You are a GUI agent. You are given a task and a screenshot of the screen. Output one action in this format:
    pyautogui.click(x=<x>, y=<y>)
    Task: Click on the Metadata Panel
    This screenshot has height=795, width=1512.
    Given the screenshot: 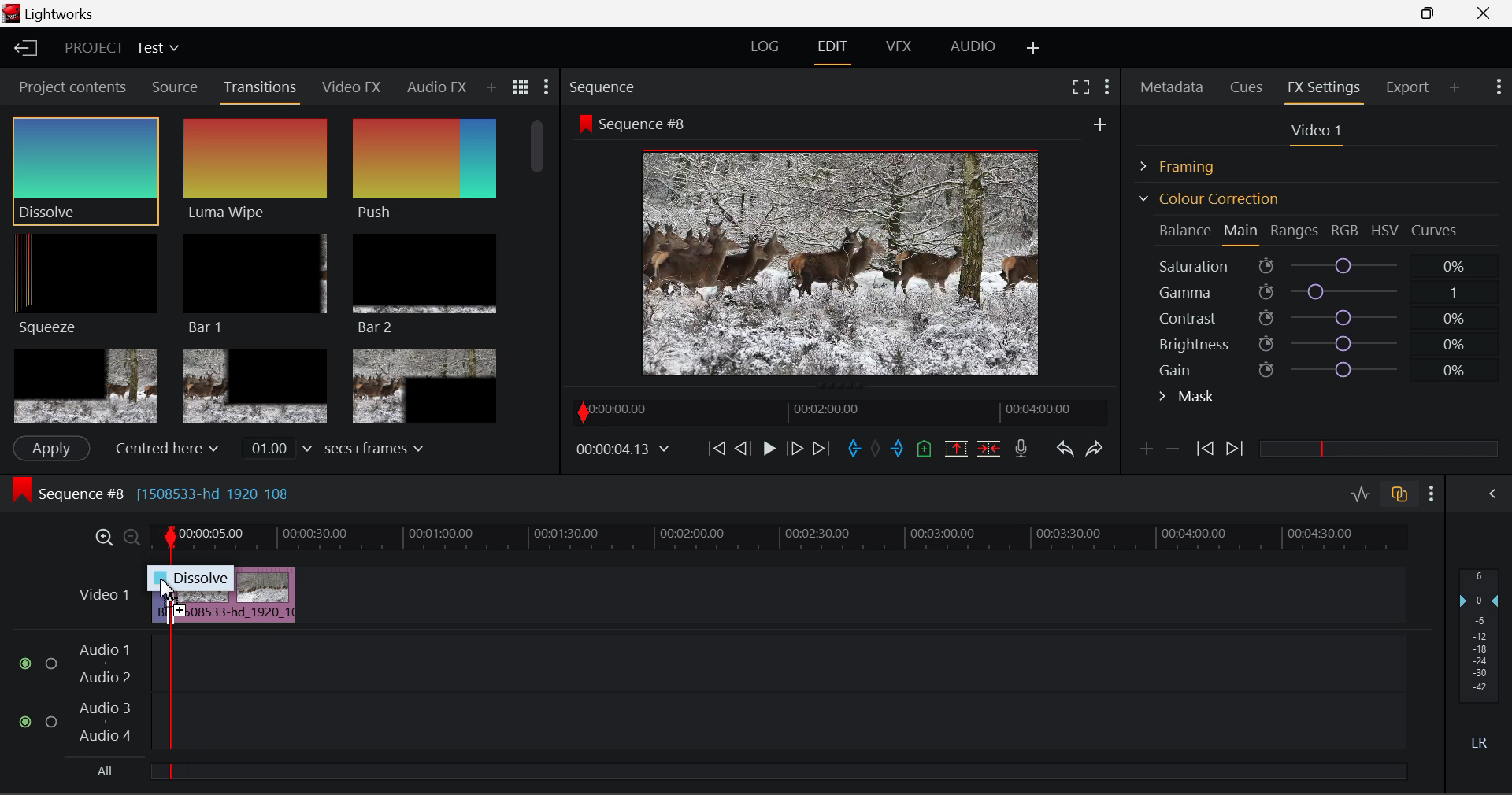 What is the action you would take?
    pyautogui.click(x=1173, y=84)
    